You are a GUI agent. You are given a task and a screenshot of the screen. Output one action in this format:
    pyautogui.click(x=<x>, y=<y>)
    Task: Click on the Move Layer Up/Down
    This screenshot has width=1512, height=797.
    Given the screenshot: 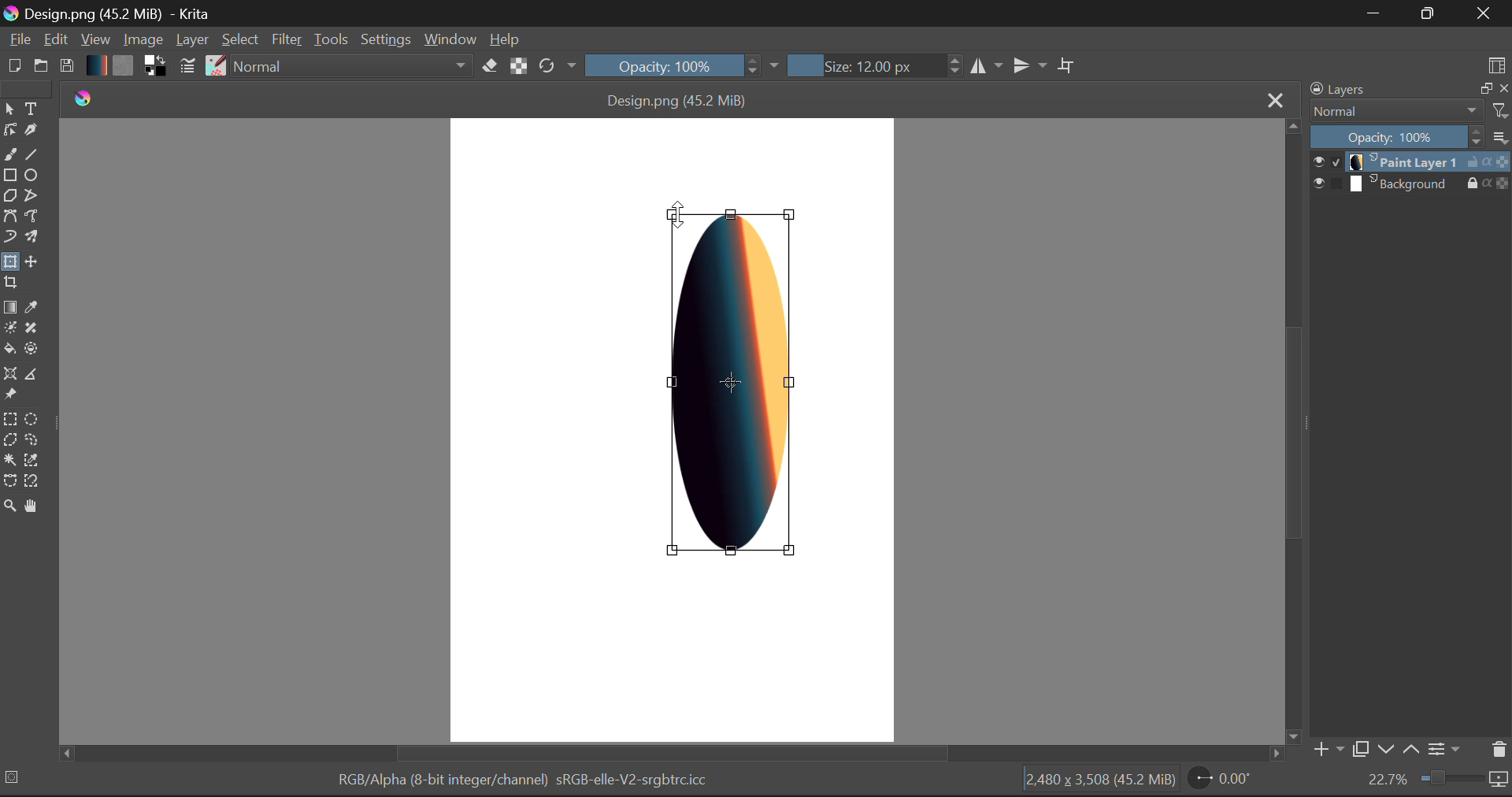 What is the action you would take?
    pyautogui.click(x=1399, y=749)
    